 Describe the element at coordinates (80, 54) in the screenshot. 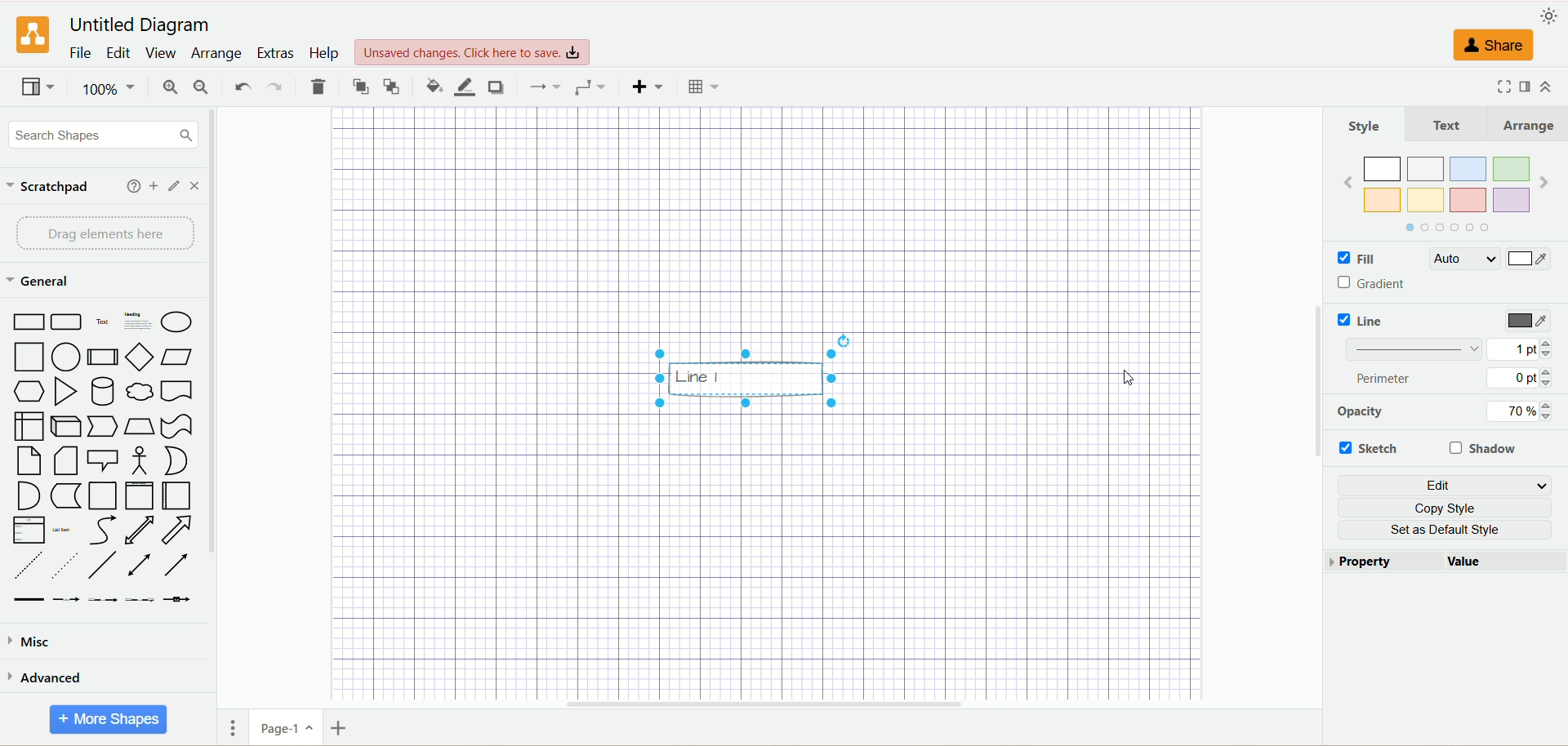

I see `file` at that location.